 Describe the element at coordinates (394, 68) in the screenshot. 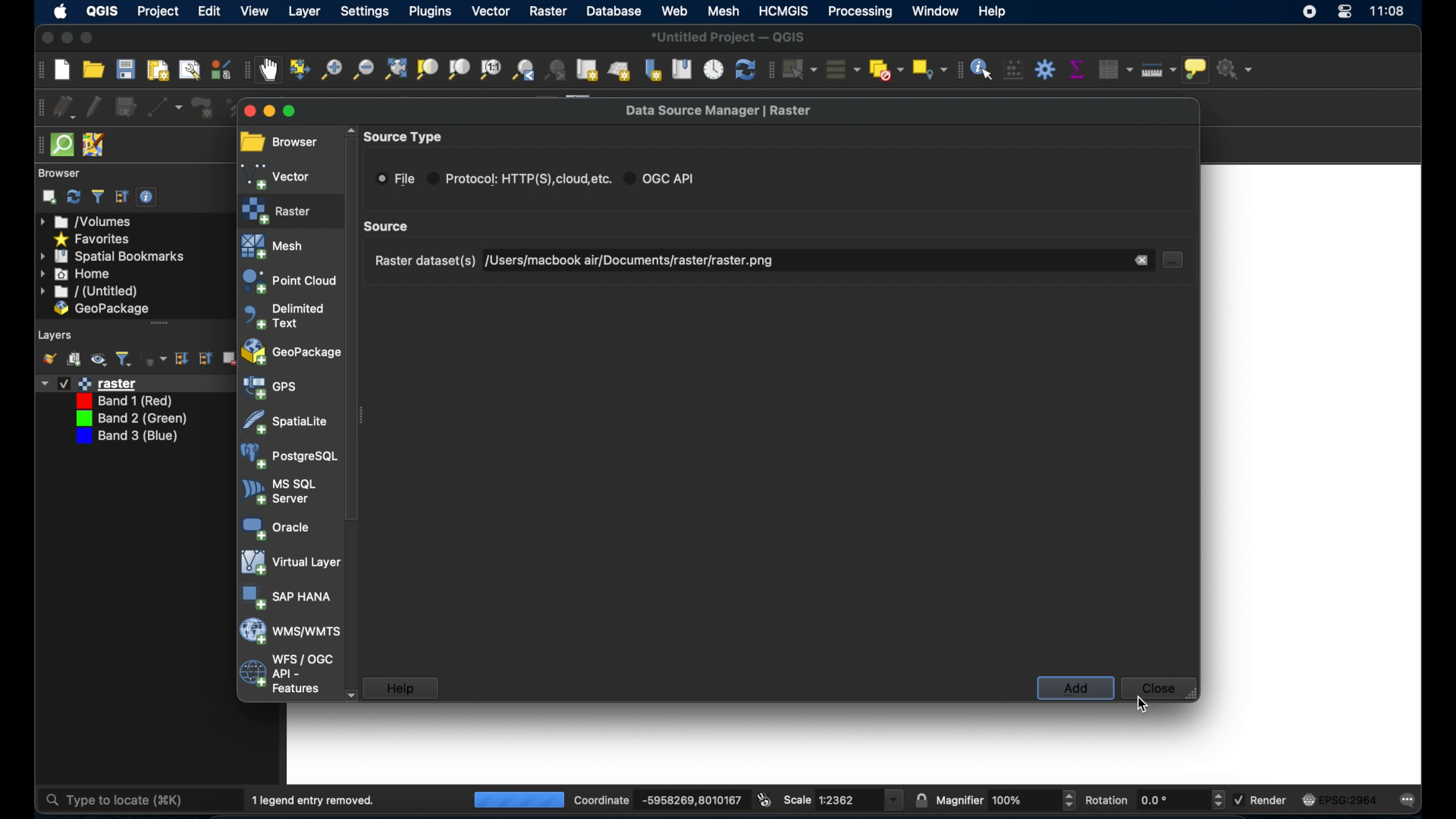

I see `zoom full` at that location.